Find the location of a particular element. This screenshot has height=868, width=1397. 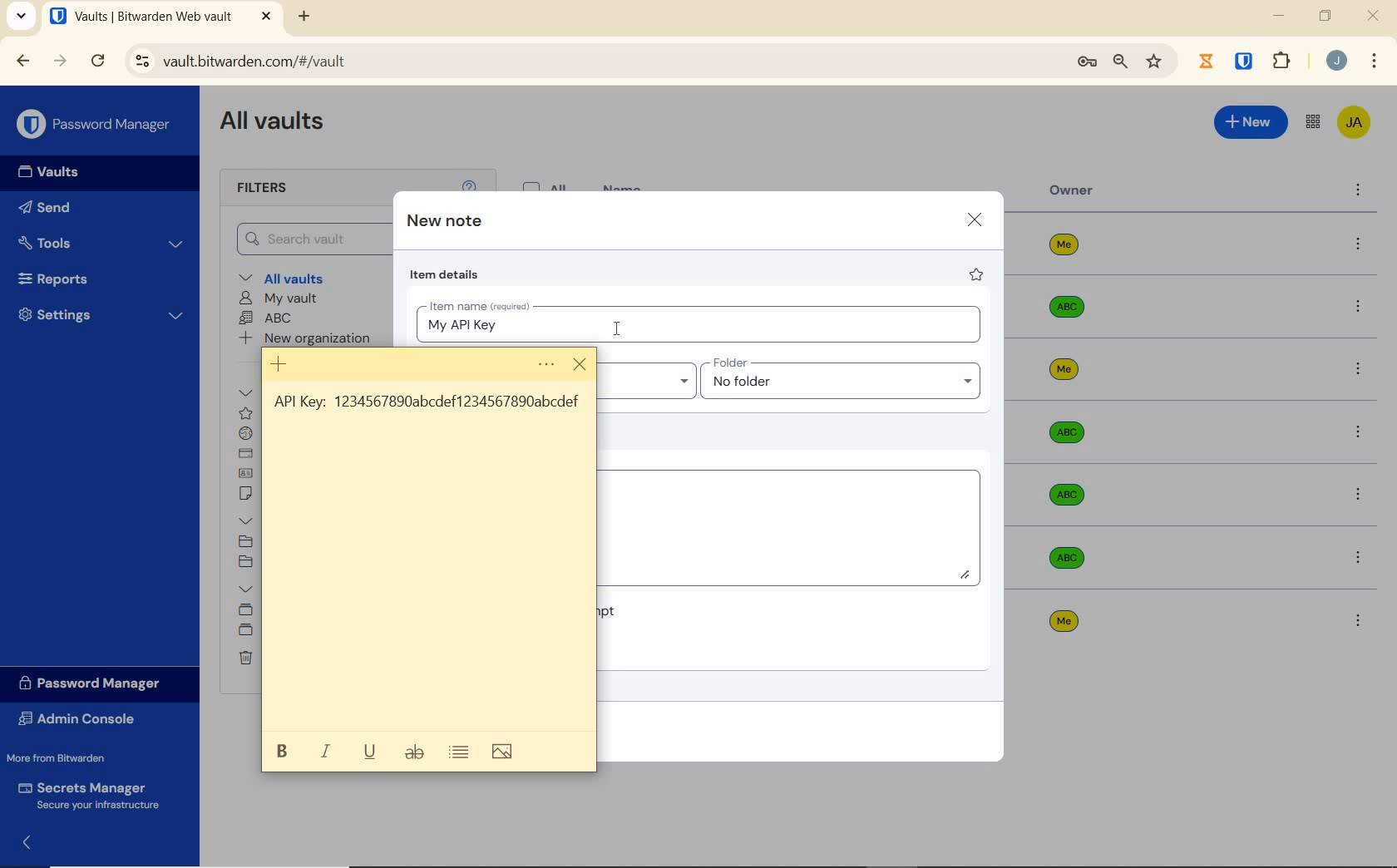

more options is located at coordinates (1360, 495).